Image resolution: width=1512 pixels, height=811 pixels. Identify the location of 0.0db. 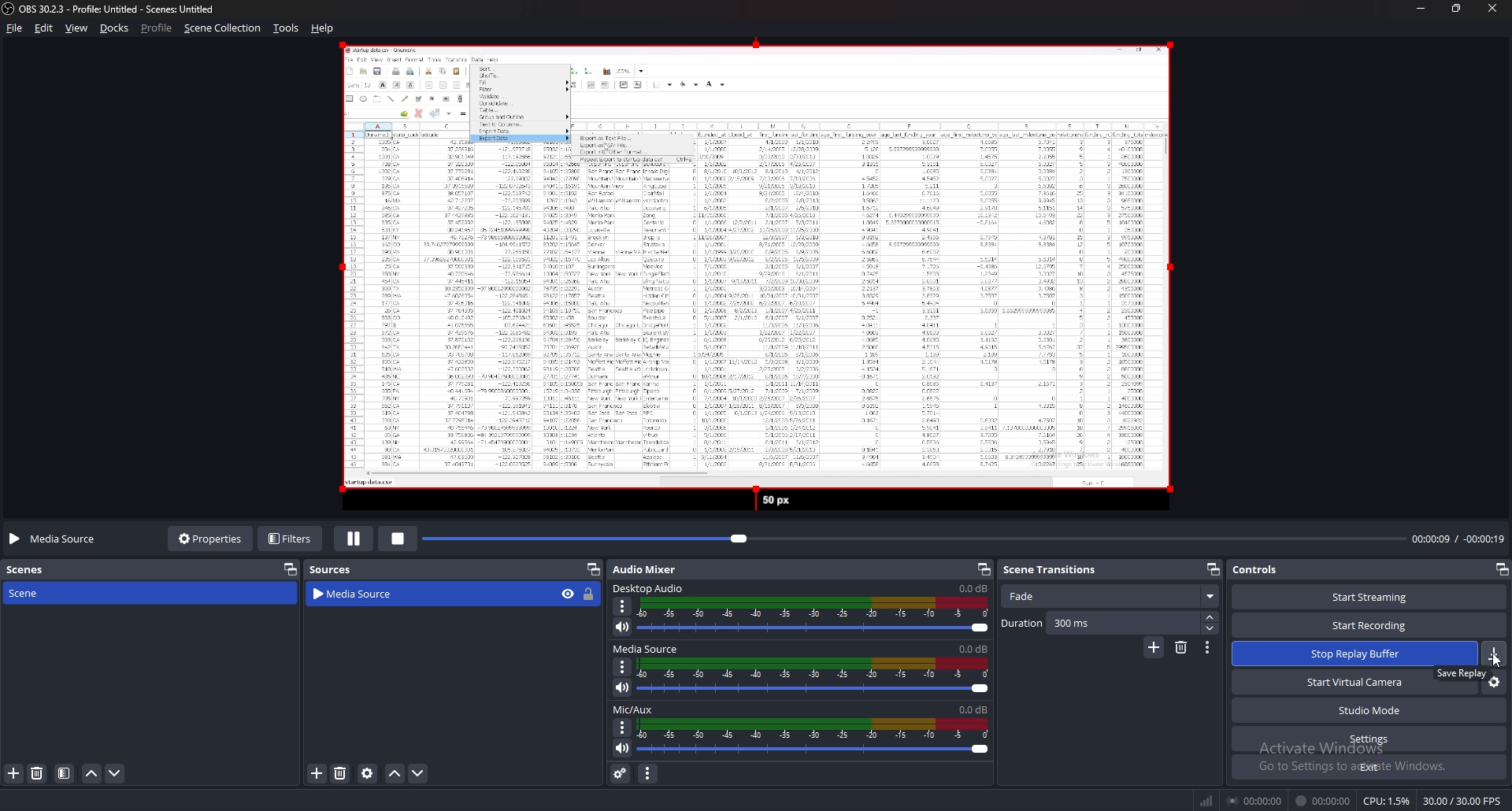
(974, 710).